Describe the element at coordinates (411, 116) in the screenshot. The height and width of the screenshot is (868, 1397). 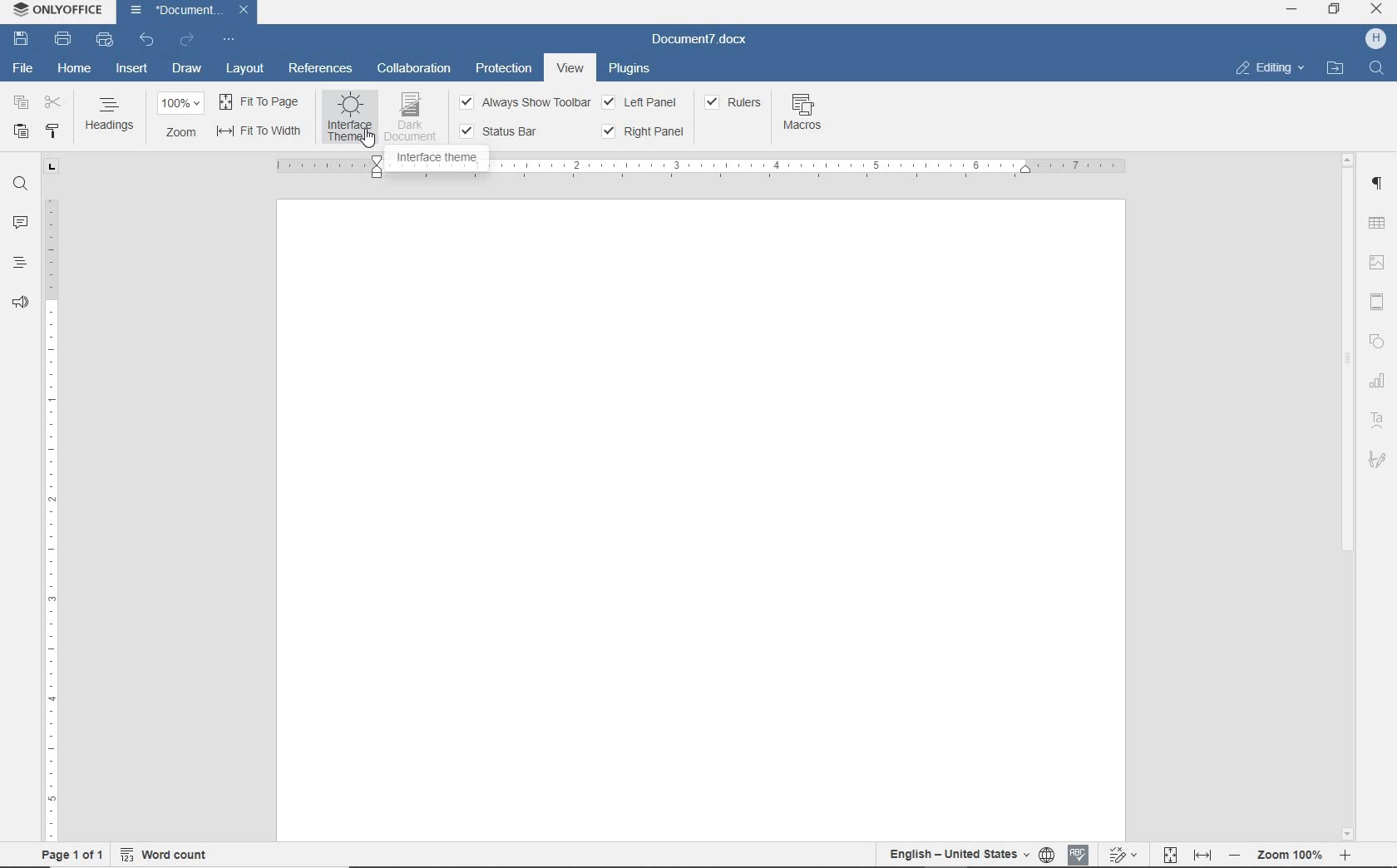
I see `DARK DOCUMENT` at that location.